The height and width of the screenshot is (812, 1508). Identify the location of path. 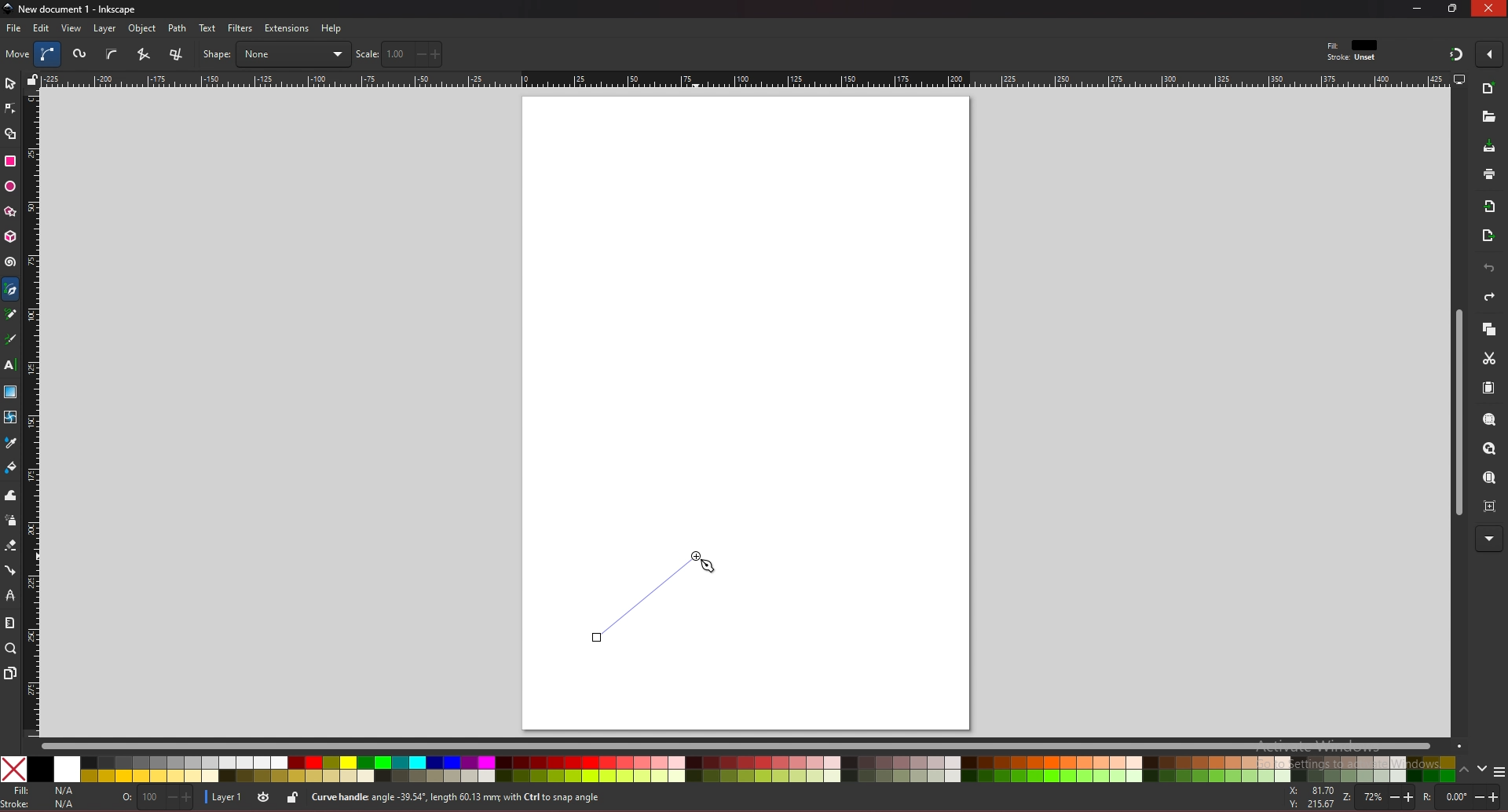
(178, 28).